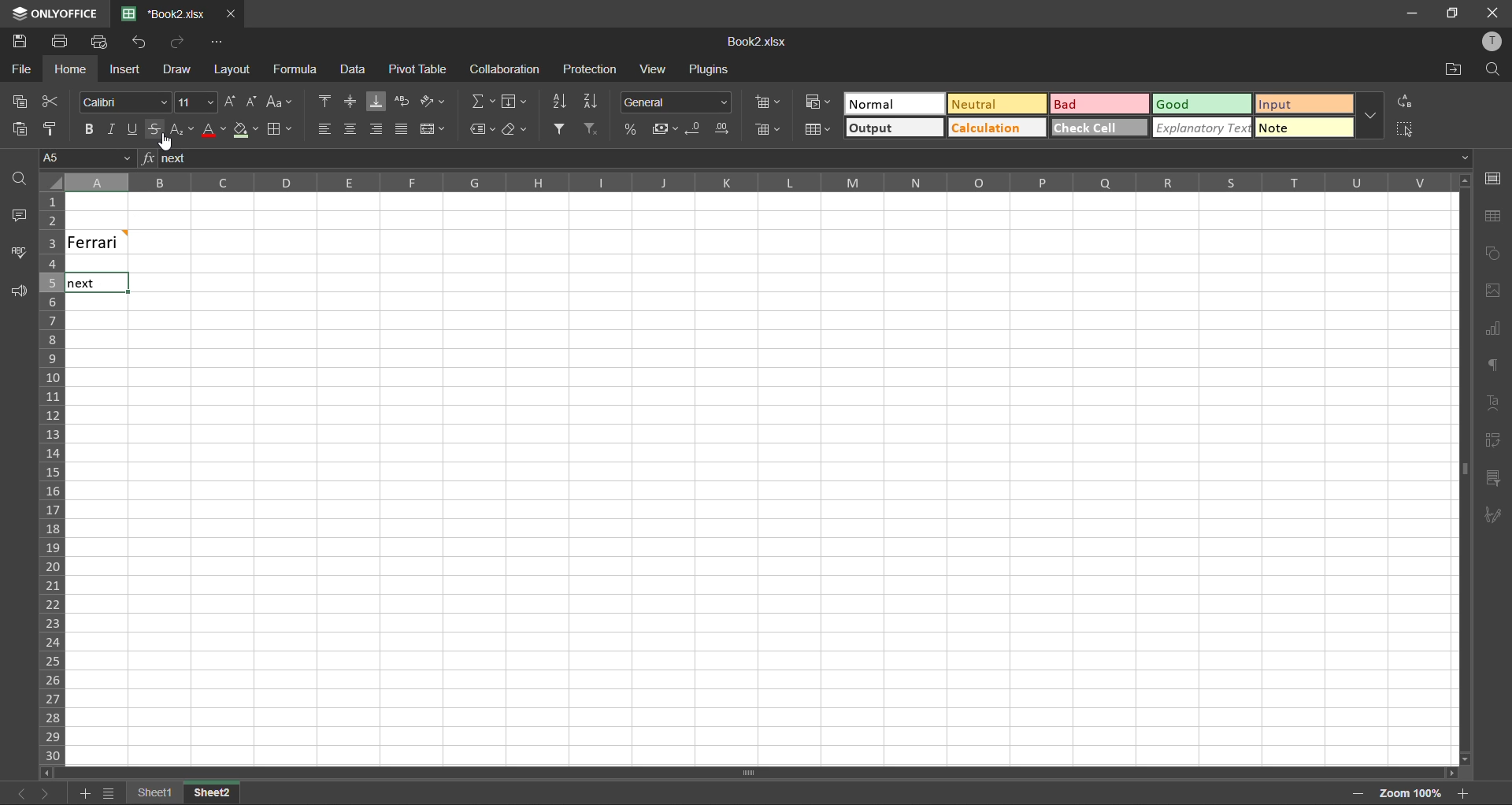  I want to click on bold, so click(90, 131).